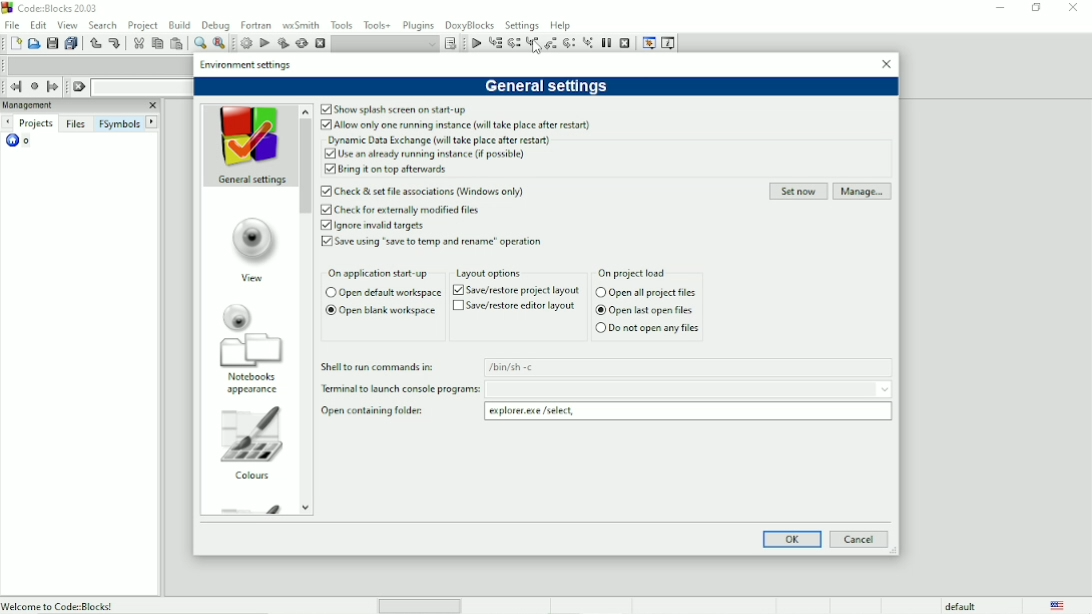 This screenshot has height=614, width=1092. I want to click on OK, so click(792, 539).